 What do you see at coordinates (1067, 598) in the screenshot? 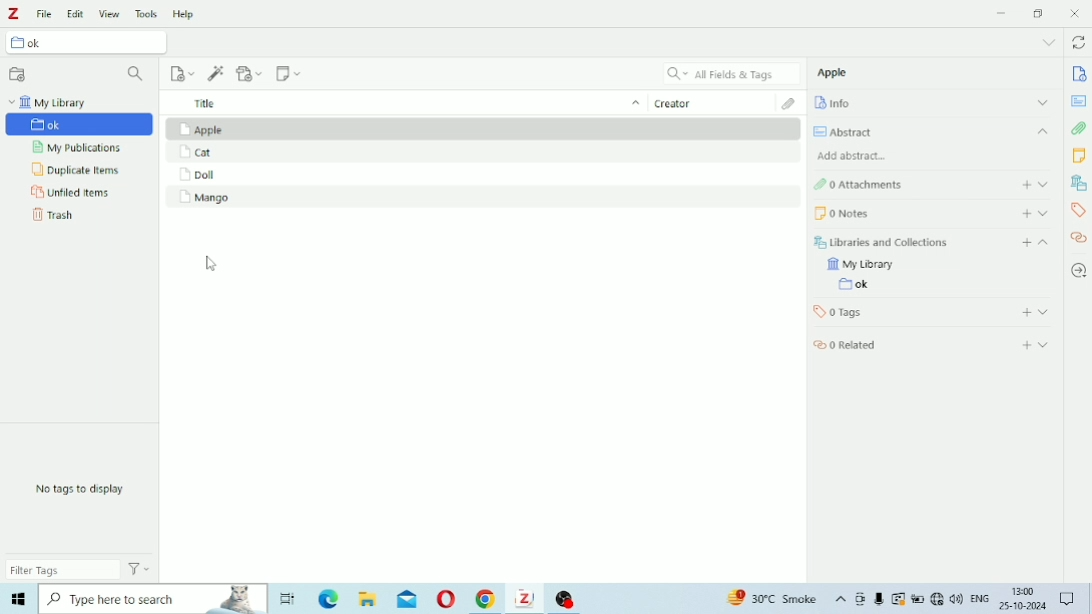
I see `` at bounding box center [1067, 598].